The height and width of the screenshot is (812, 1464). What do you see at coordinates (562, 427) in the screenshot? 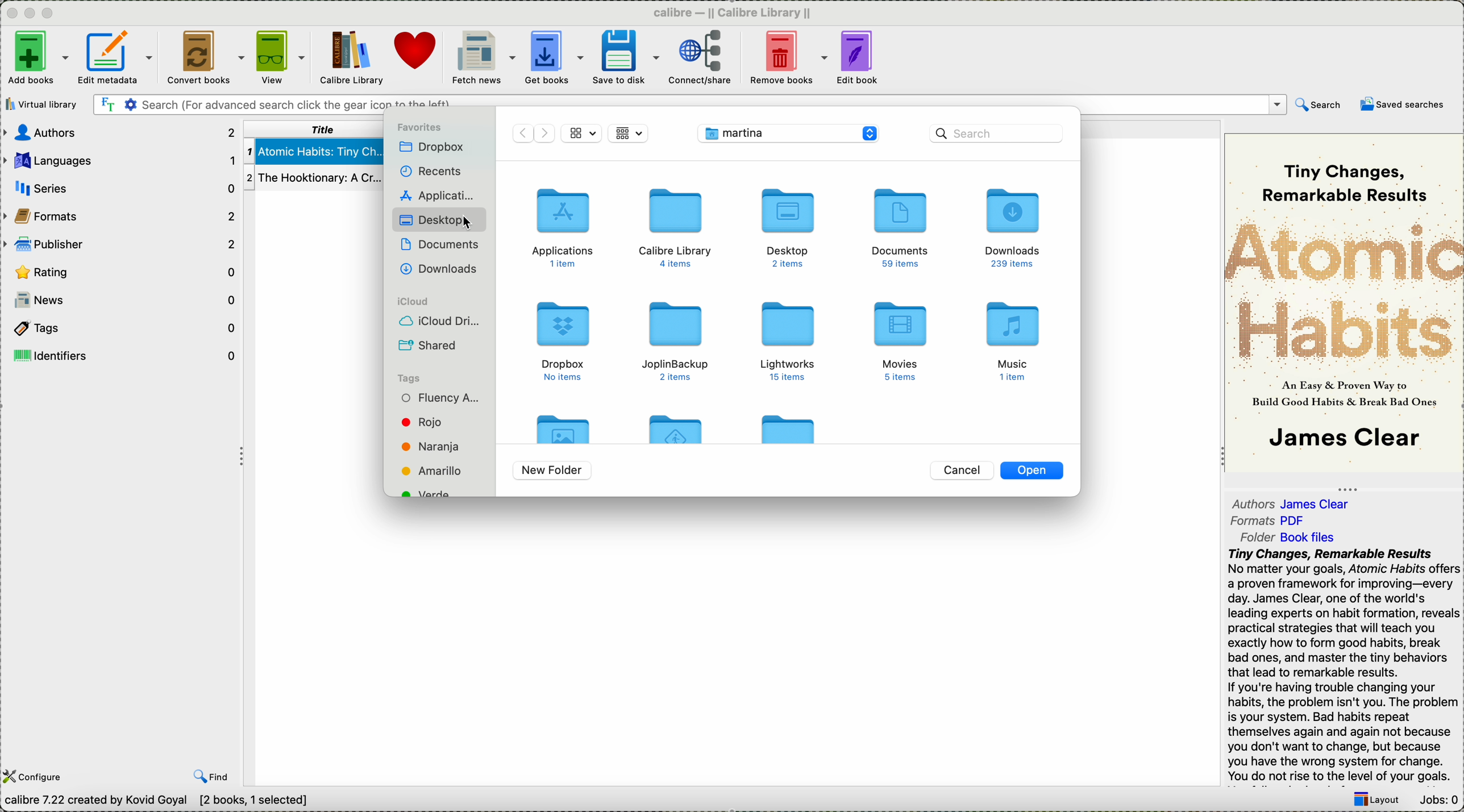
I see `folder` at bounding box center [562, 427].